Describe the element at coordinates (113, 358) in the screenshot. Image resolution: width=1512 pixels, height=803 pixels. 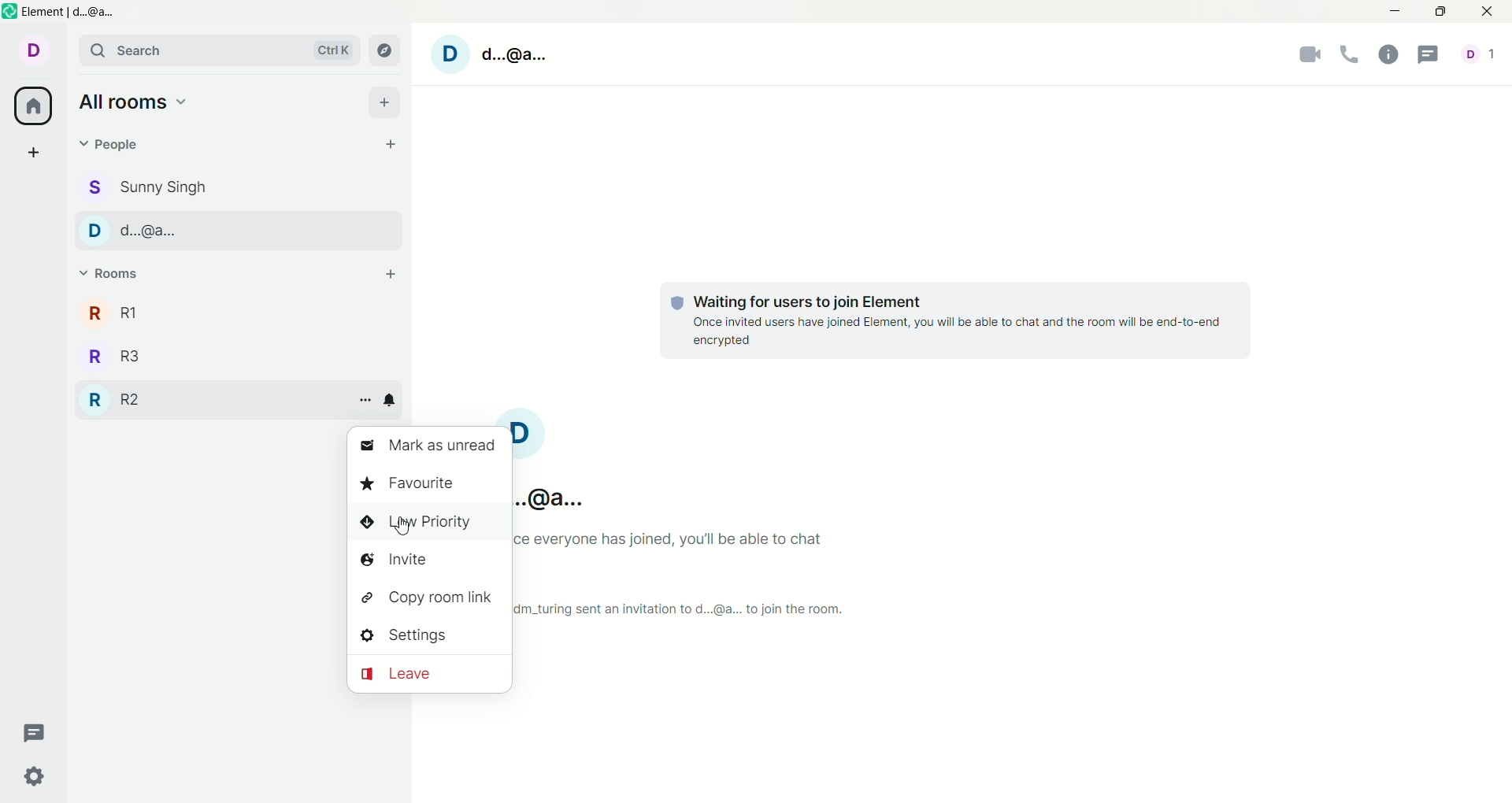
I see `room 3` at that location.